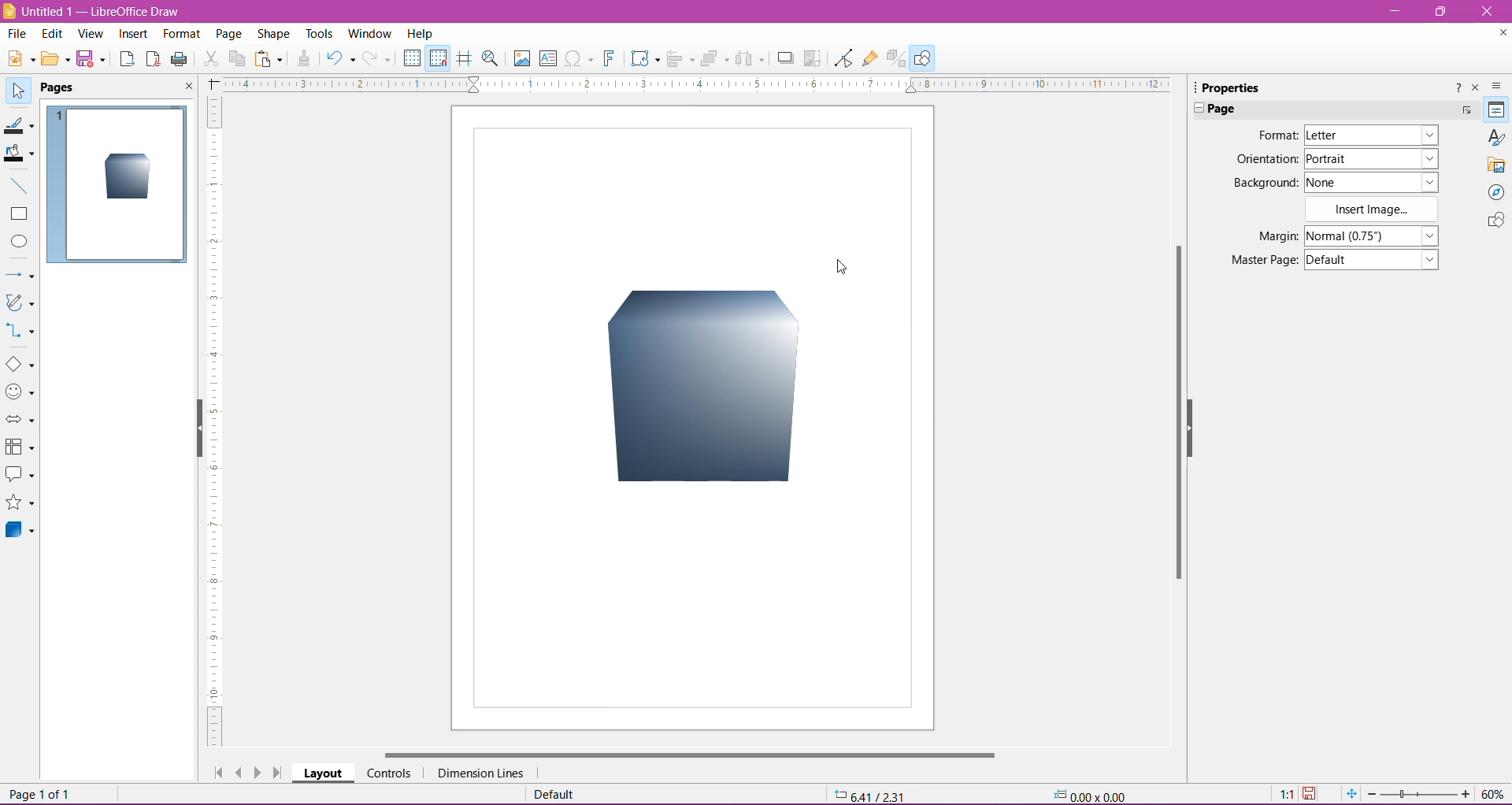  Describe the element at coordinates (1393, 9) in the screenshot. I see `Minimize` at that location.